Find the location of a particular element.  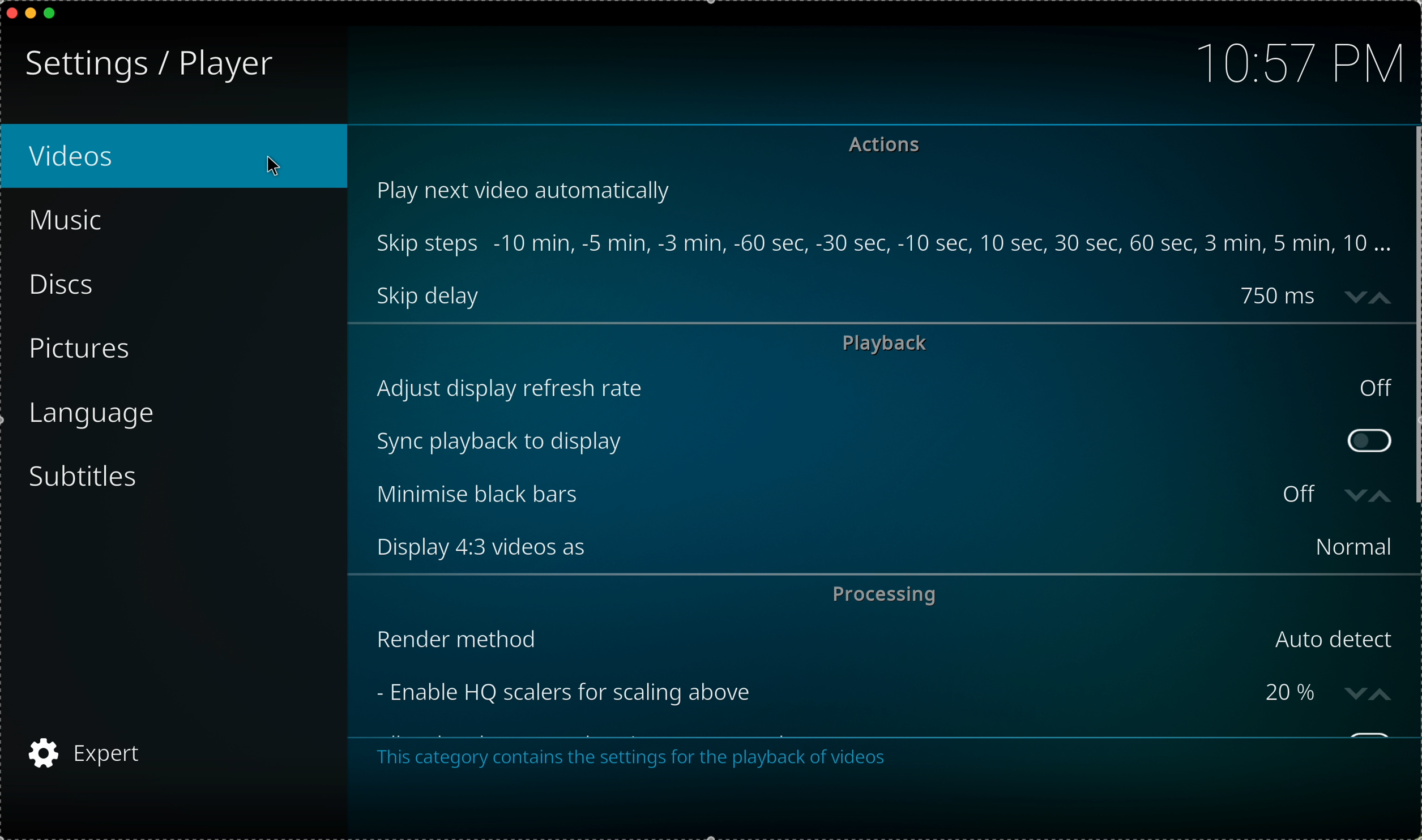

minimize  is located at coordinates (31, 16).